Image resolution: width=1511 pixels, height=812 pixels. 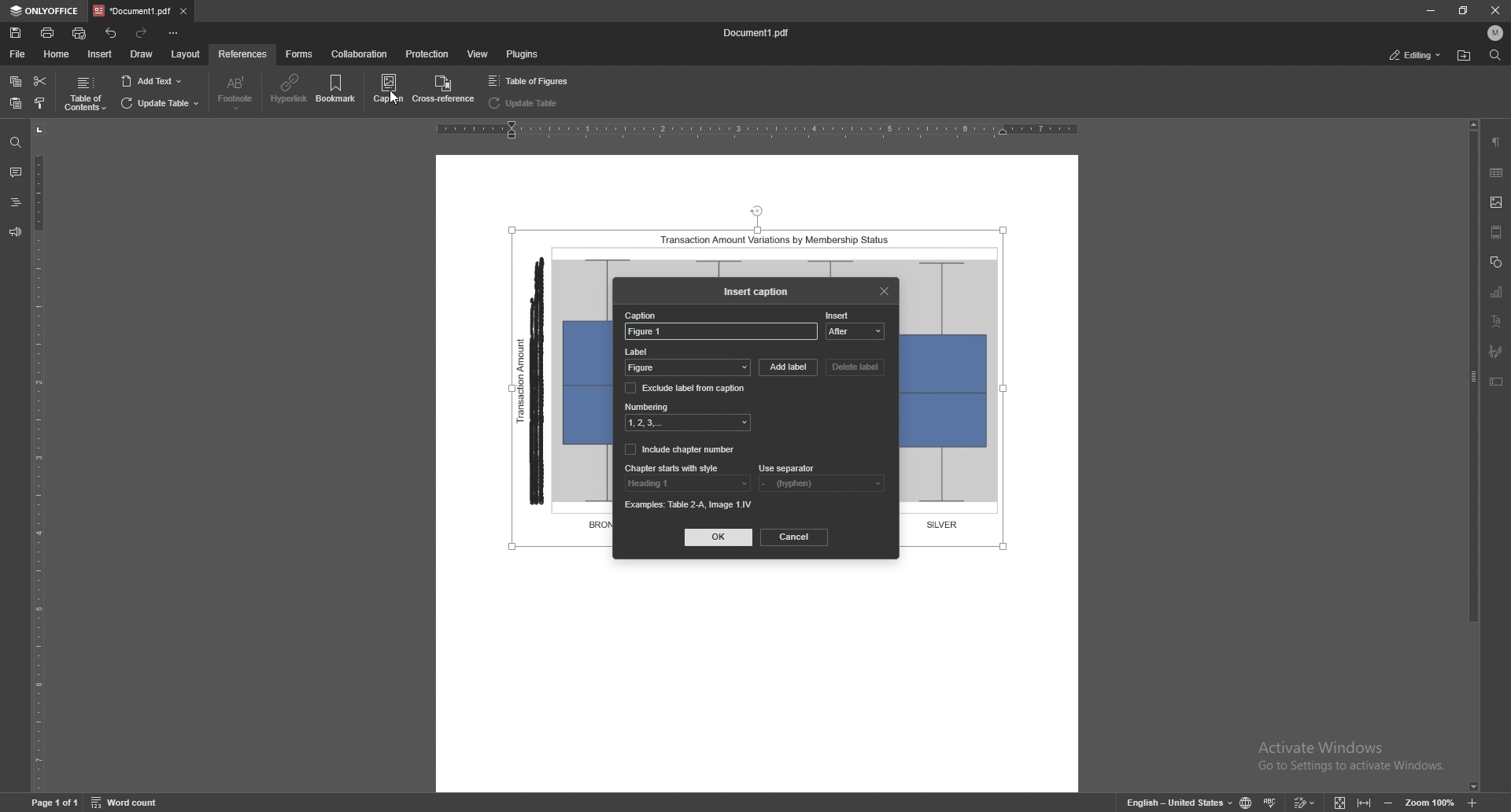 What do you see at coordinates (142, 54) in the screenshot?
I see `draw` at bounding box center [142, 54].